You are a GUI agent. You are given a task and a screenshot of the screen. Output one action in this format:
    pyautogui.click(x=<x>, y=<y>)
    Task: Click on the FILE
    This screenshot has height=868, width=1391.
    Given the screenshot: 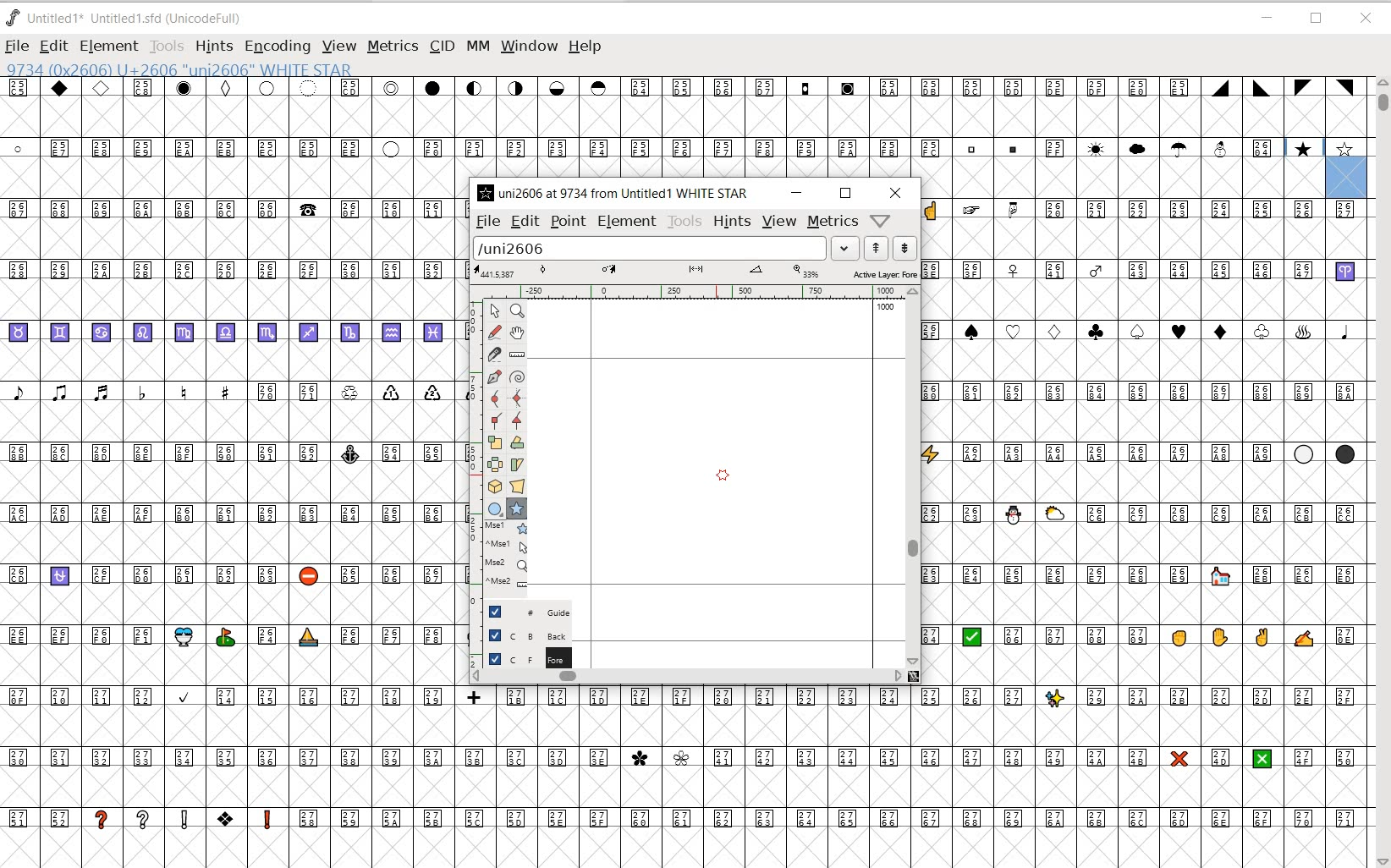 What is the action you would take?
    pyautogui.click(x=487, y=222)
    